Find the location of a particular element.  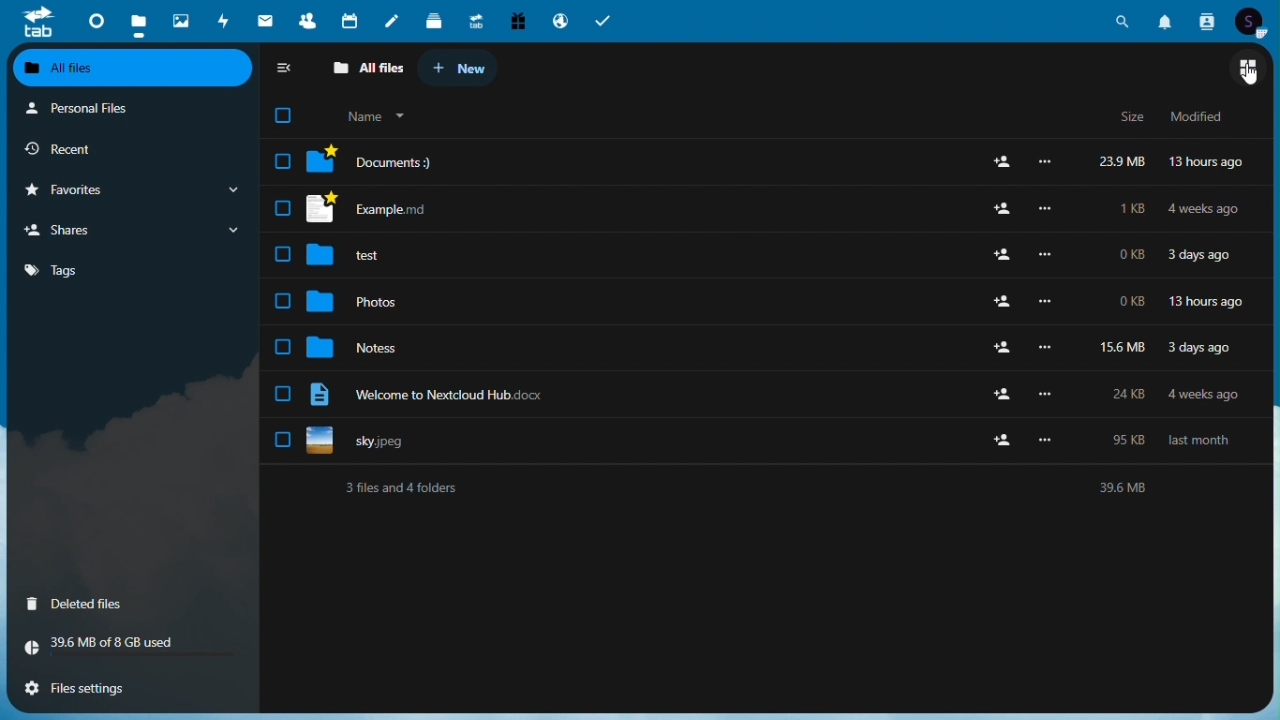

files settings is located at coordinates (114, 689).